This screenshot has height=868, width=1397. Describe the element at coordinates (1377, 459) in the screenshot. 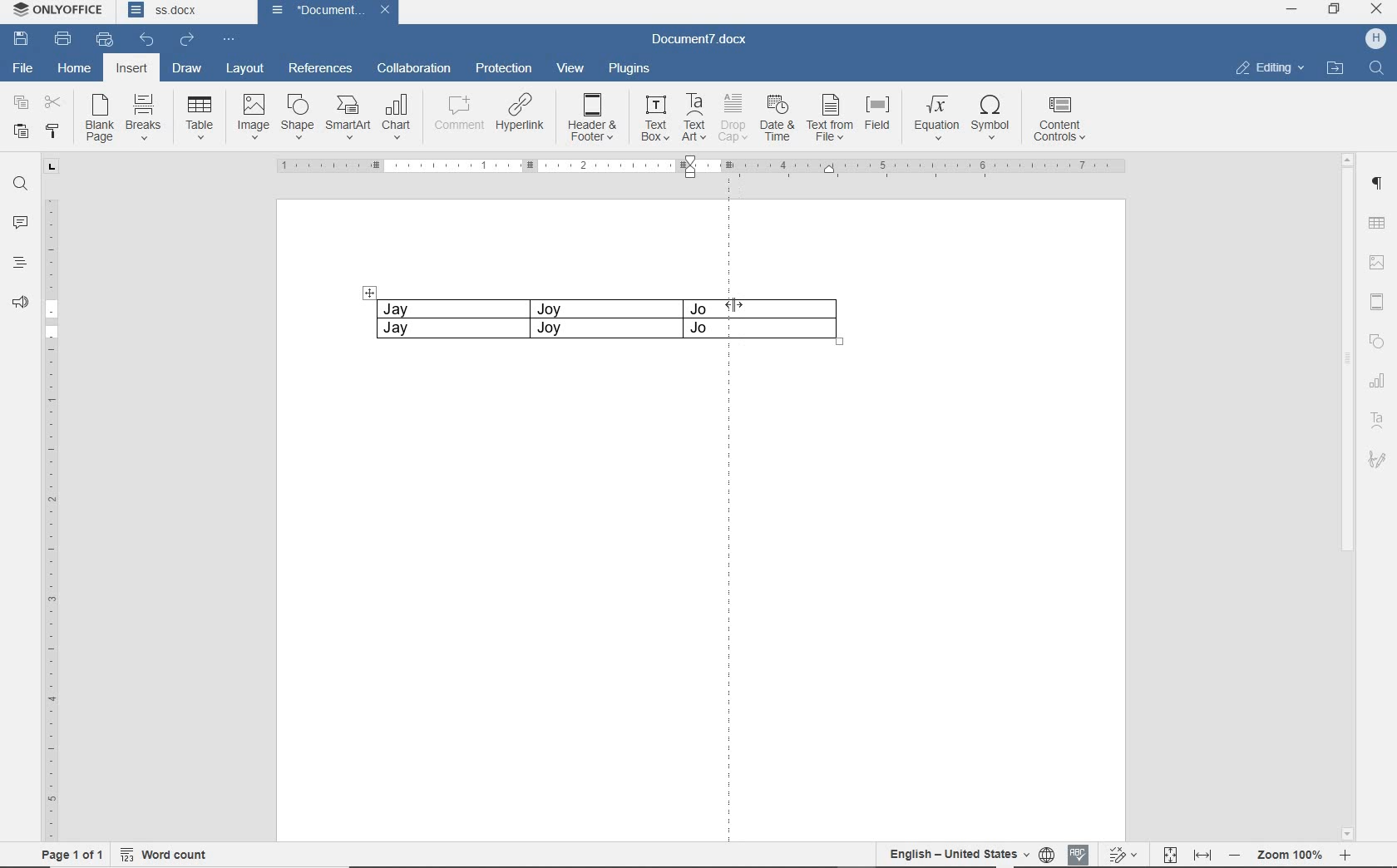

I see `SIGNATURE` at that location.